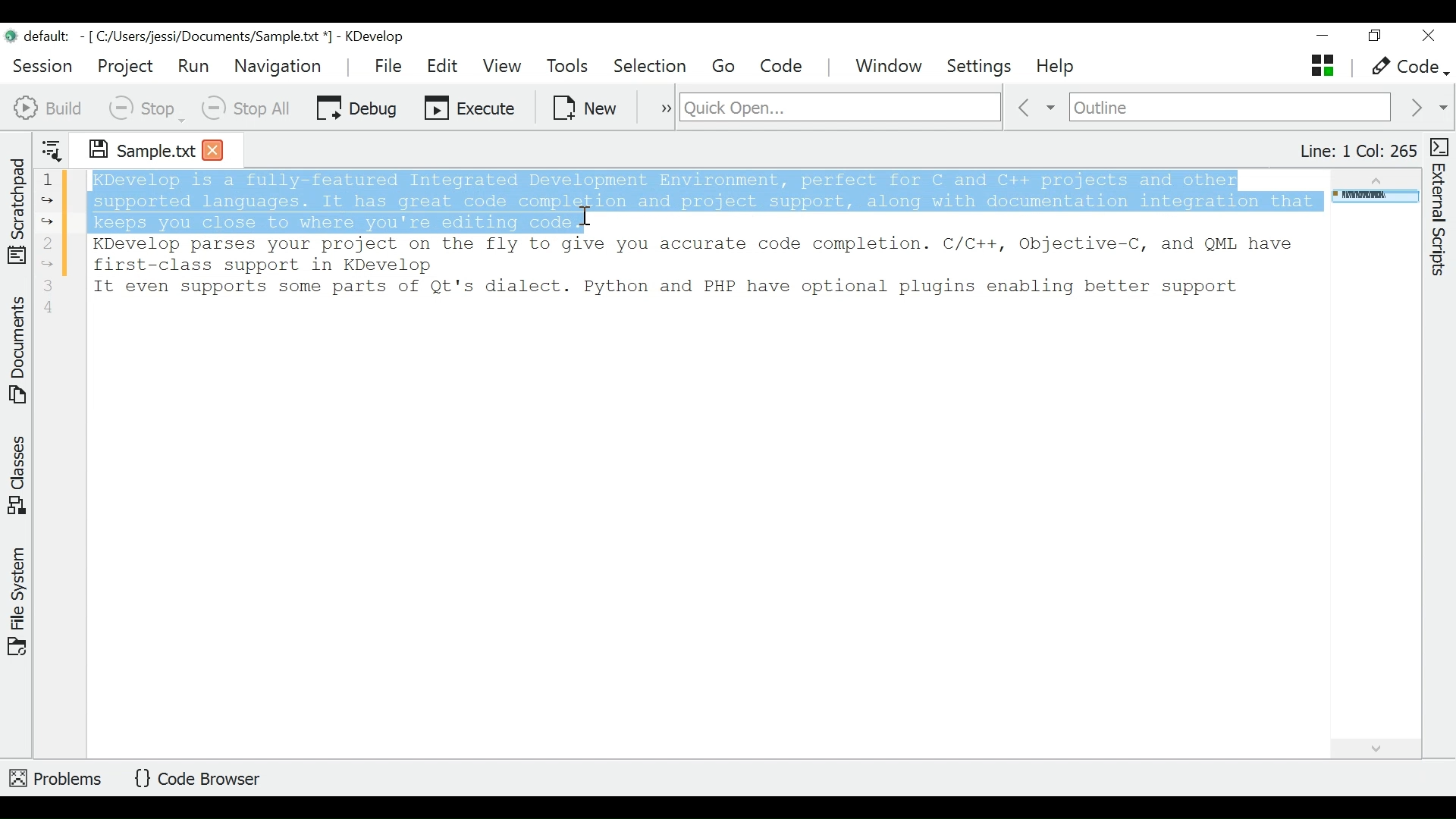  What do you see at coordinates (124, 66) in the screenshot?
I see `Project` at bounding box center [124, 66].